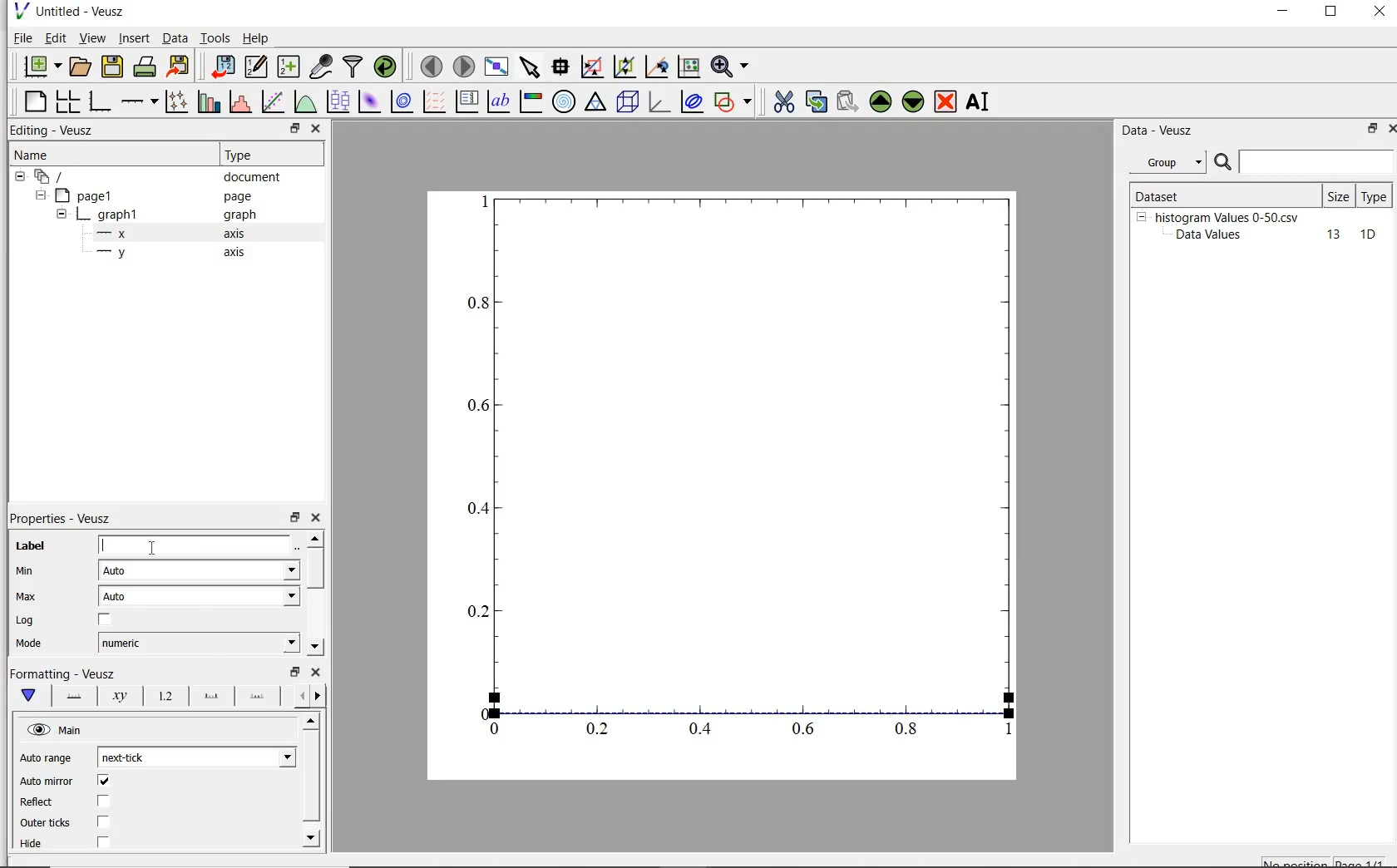 Image resolution: width=1397 pixels, height=868 pixels. Describe the element at coordinates (103, 843) in the screenshot. I see `checkbox` at that location.